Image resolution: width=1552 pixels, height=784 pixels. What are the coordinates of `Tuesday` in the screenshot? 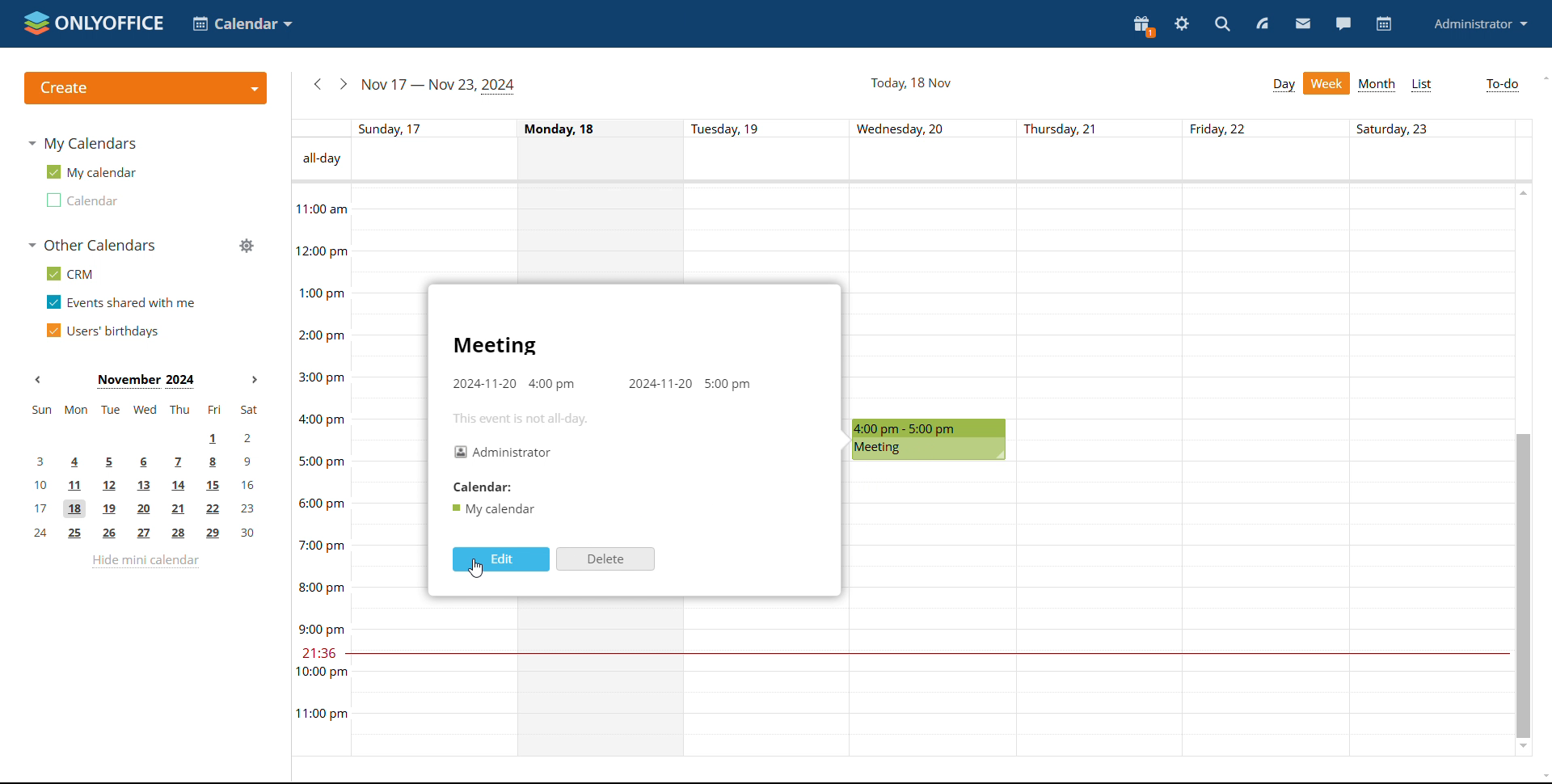 It's located at (768, 233).